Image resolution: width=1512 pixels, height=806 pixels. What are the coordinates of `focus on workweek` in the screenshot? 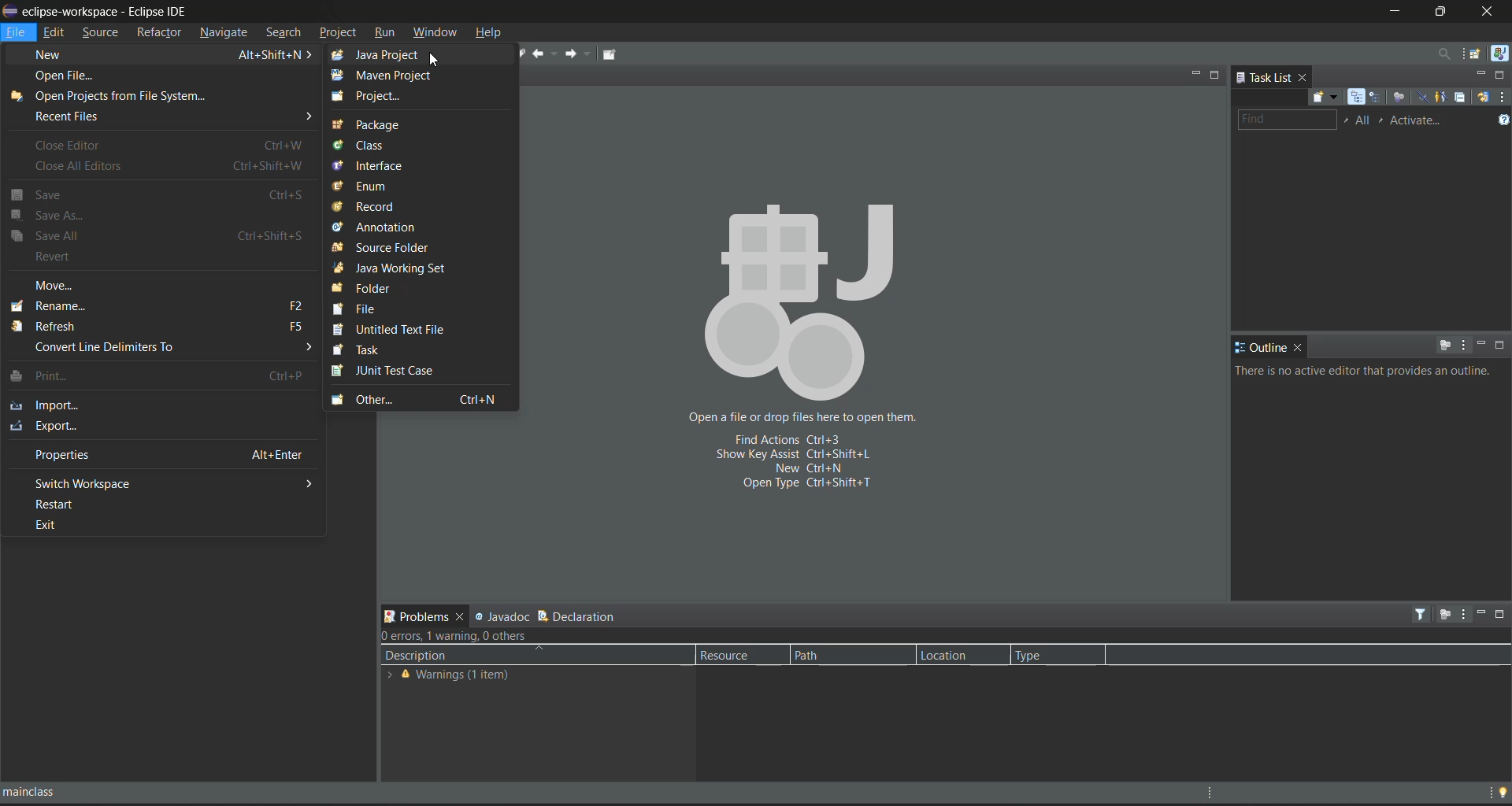 It's located at (1398, 96).